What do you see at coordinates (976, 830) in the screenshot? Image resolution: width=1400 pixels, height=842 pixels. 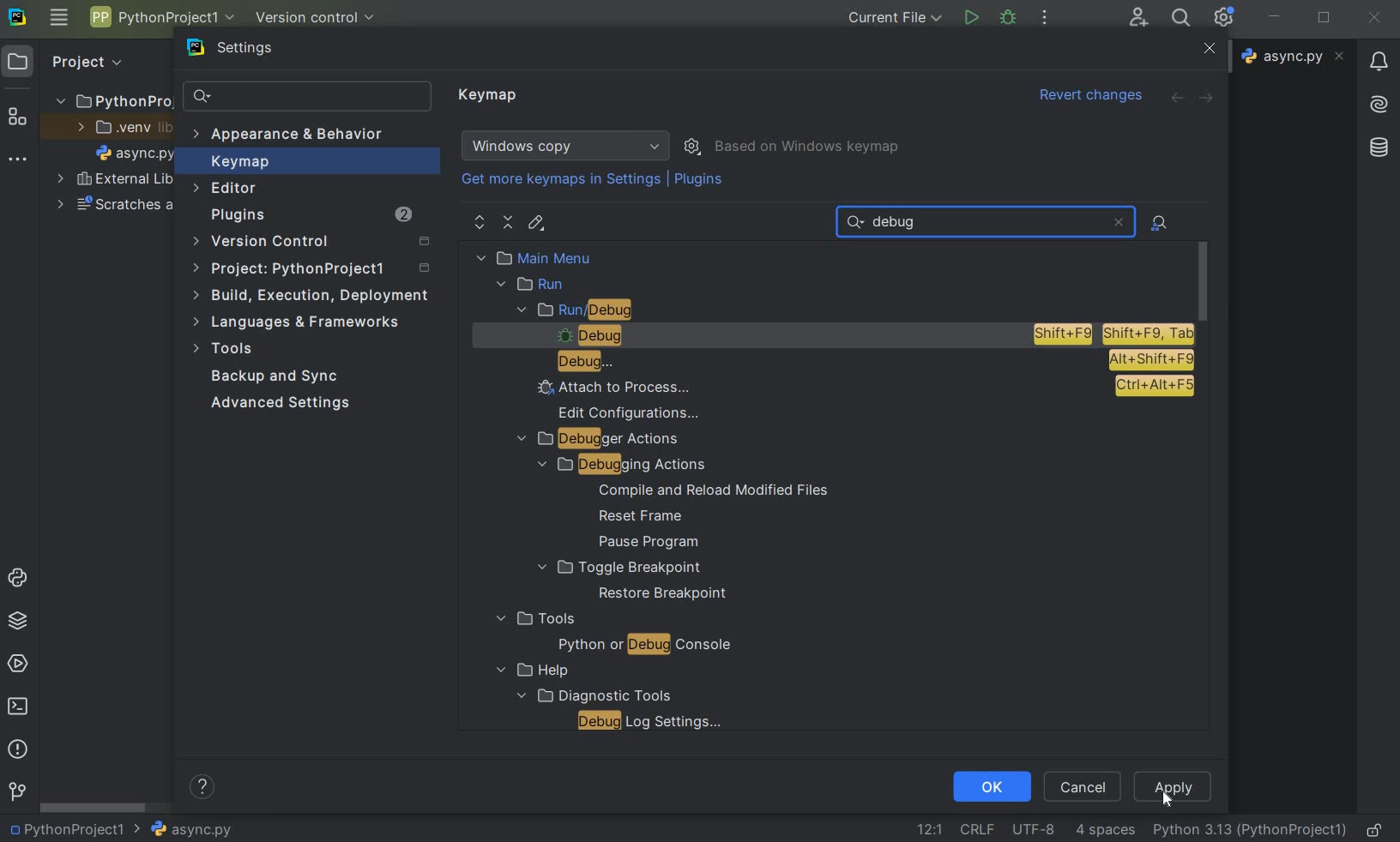 I see `line separator` at bounding box center [976, 830].